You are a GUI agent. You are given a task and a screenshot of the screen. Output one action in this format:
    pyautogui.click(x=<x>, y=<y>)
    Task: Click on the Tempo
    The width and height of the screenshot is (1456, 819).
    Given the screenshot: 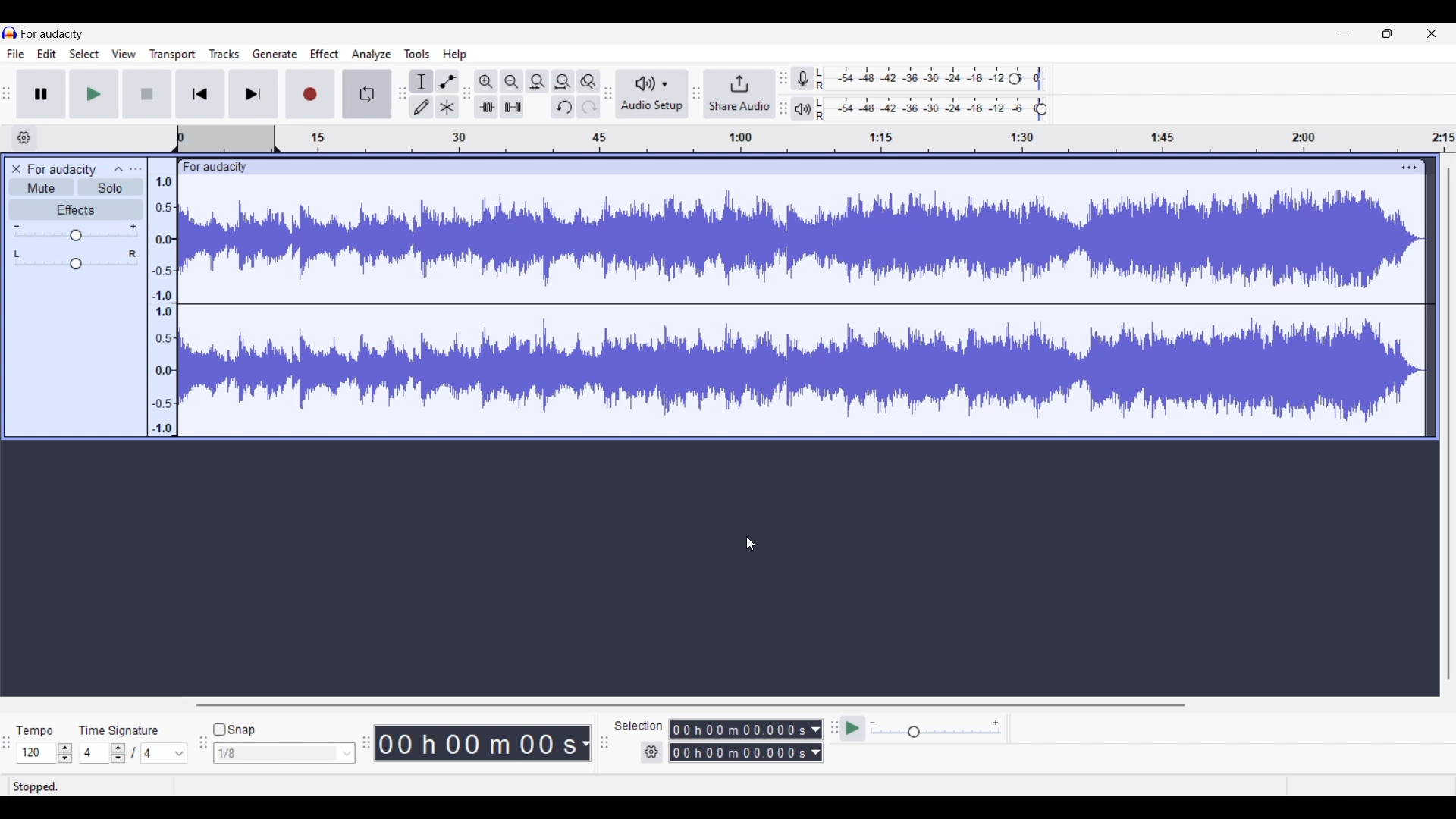 What is the action you would take?
    pyautogui.click(x=39, y=726)
    